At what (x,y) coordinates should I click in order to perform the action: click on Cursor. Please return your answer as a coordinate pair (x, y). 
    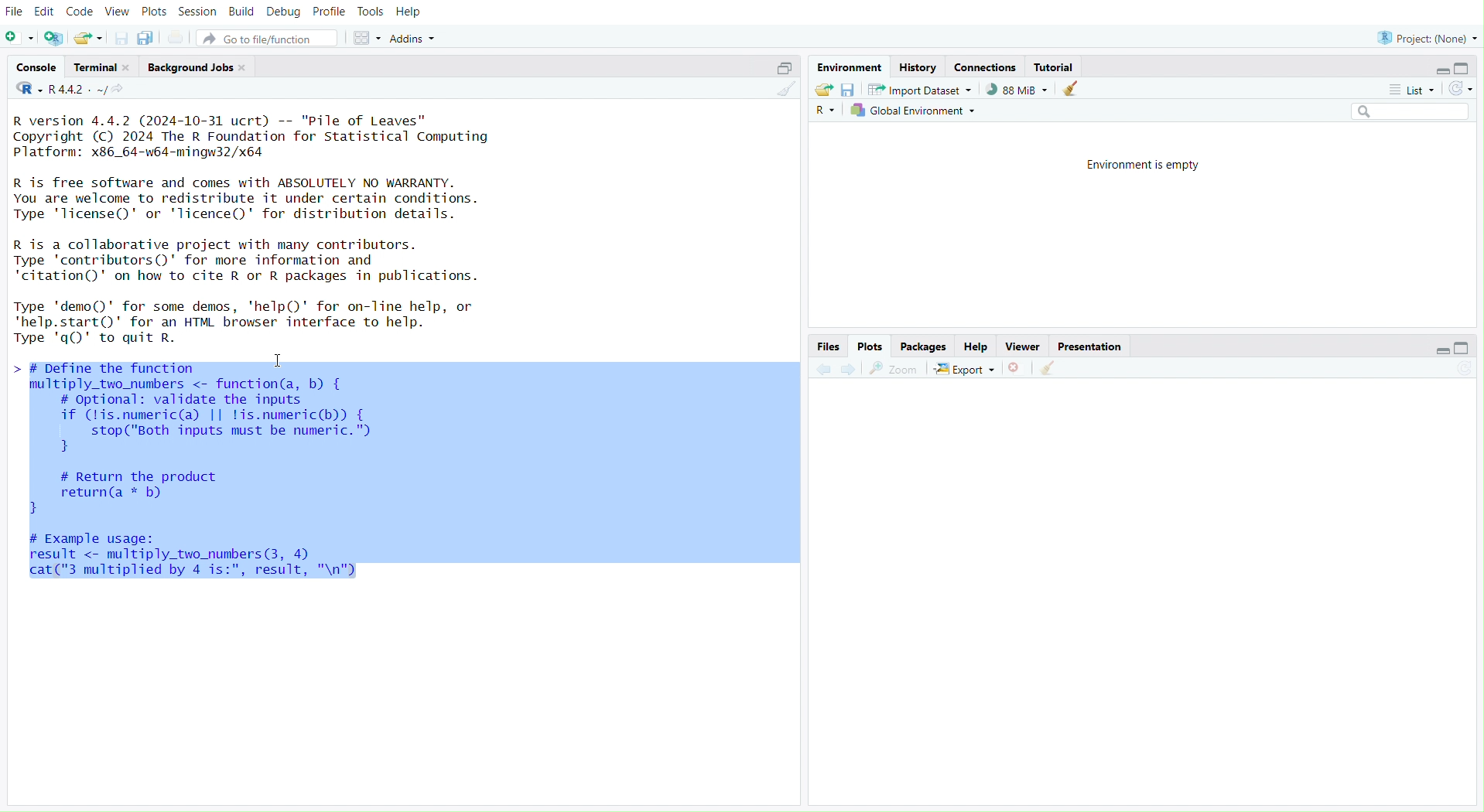
    Looking at the image, I should click on (283, 363).